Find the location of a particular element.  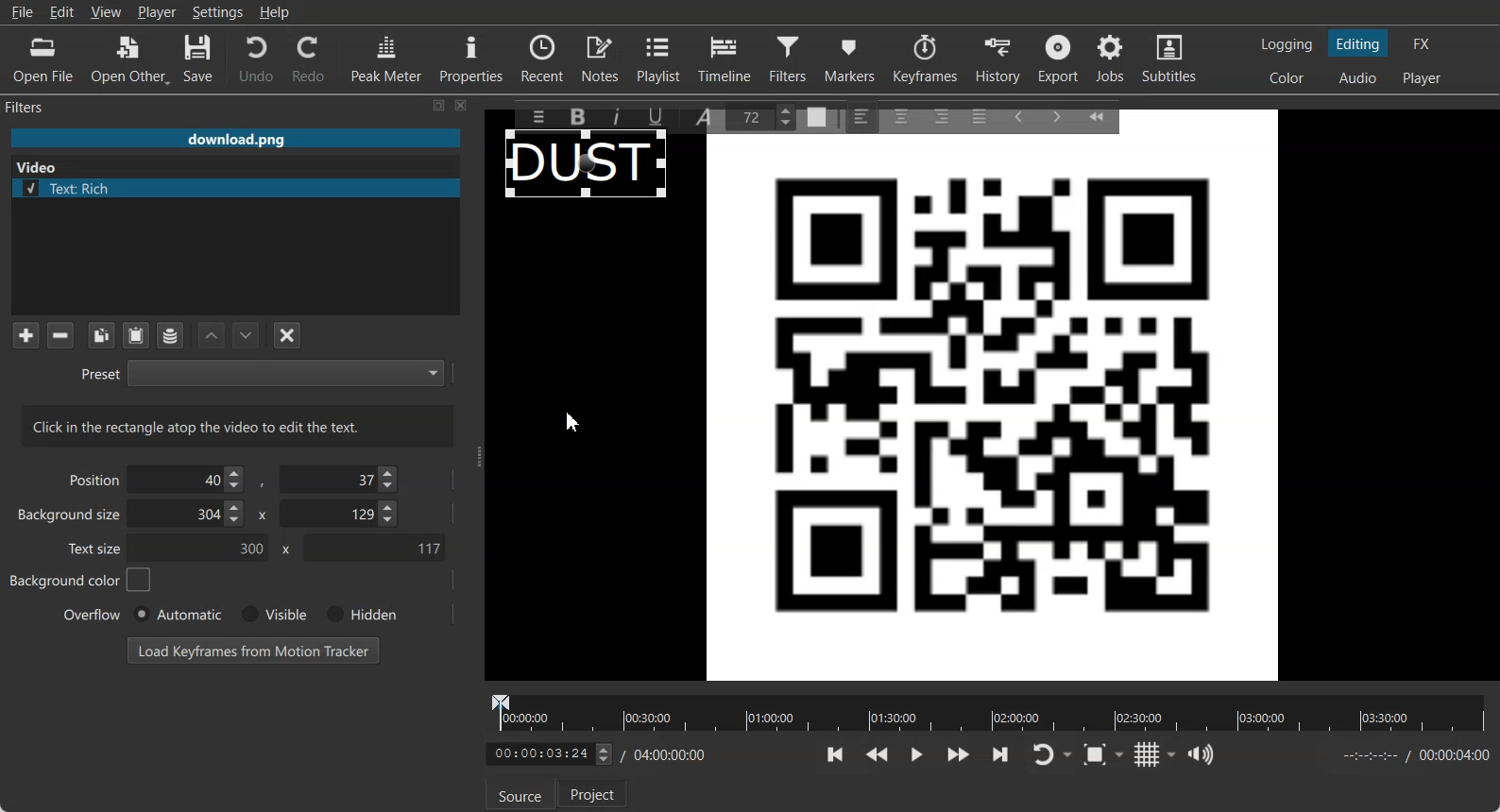

Text rich file is located at coordinates (243, 188).